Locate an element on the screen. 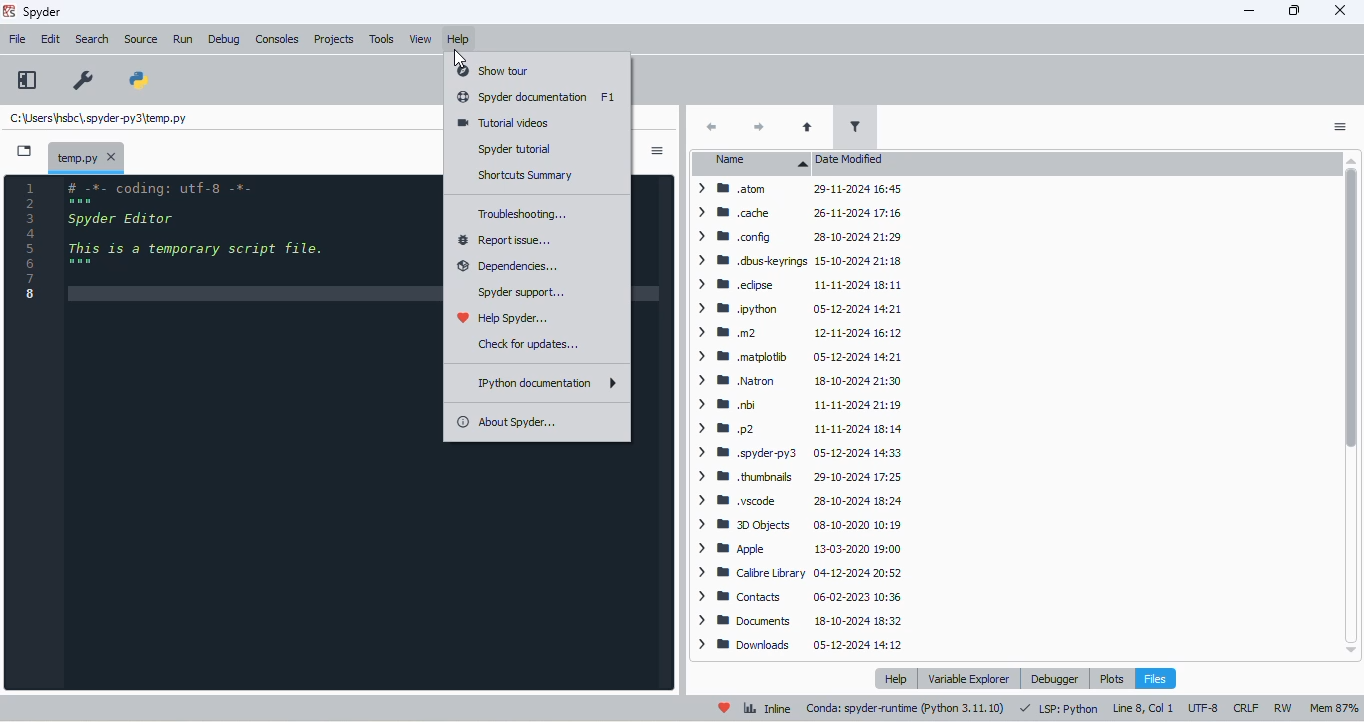 The image size is (1364, 722). tools is located at coordinates (383, 39).